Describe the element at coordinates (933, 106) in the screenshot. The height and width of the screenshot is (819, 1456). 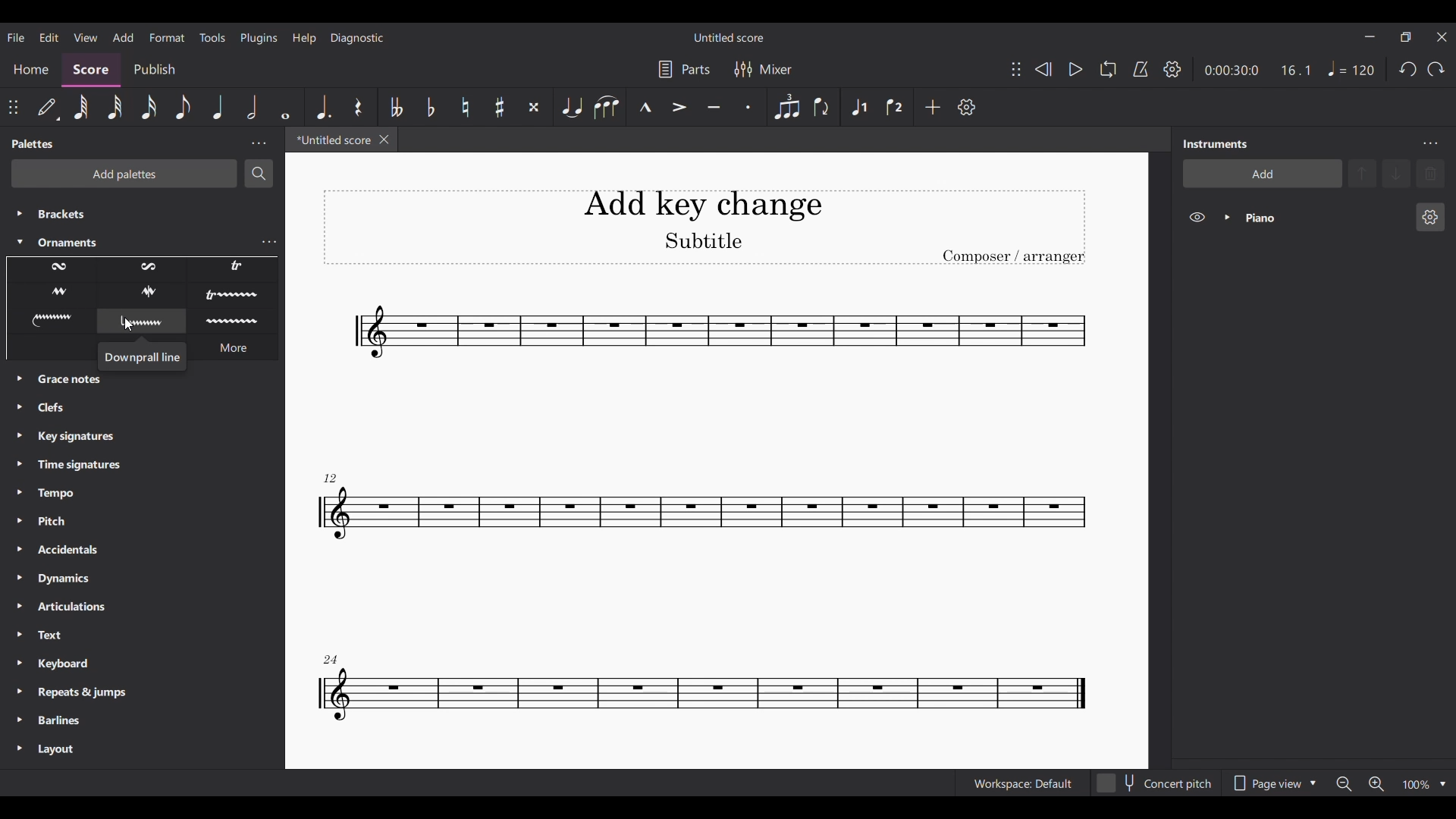
I see `Add` at that location.